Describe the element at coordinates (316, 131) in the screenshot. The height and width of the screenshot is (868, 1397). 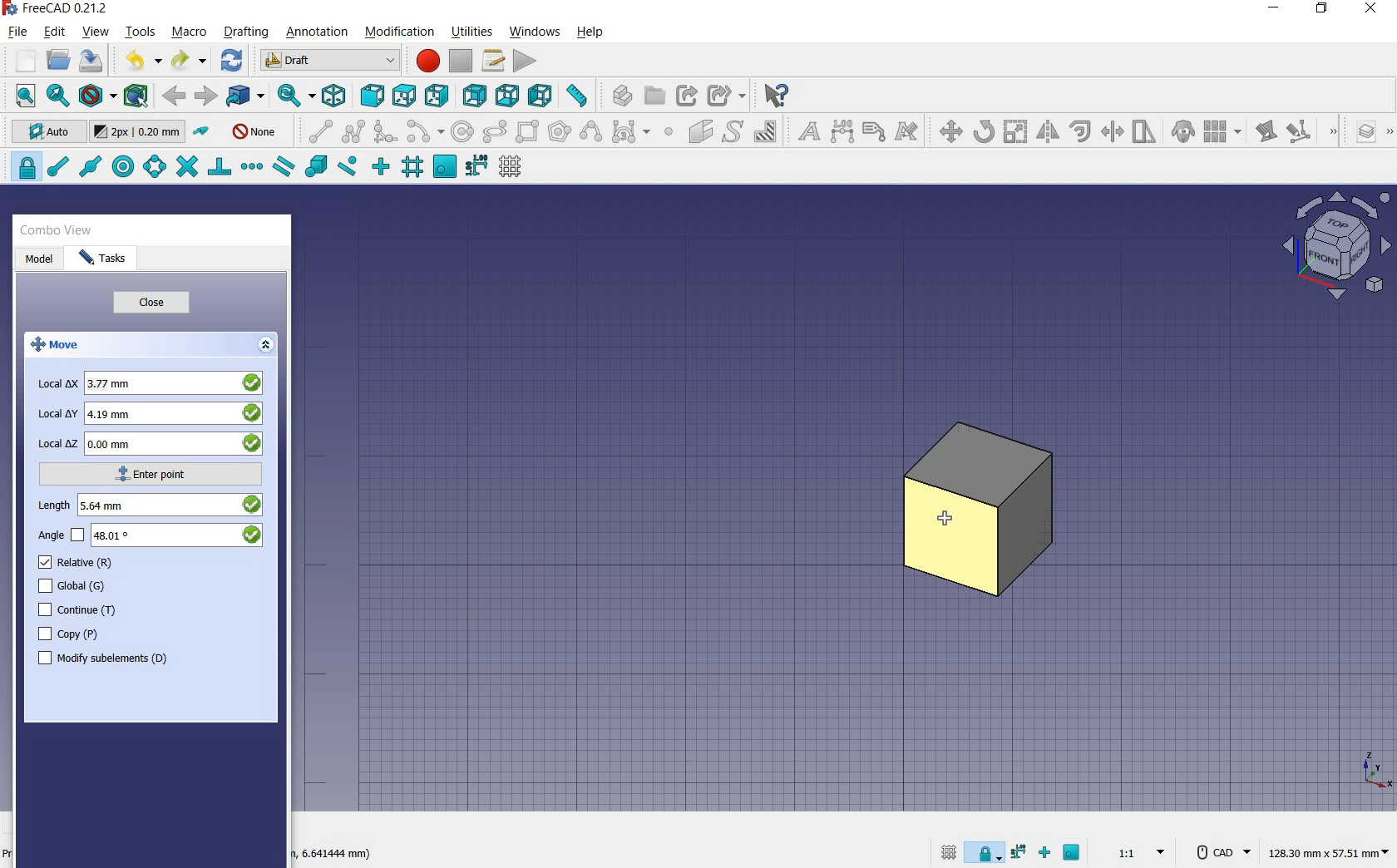
I see `line` at that location.